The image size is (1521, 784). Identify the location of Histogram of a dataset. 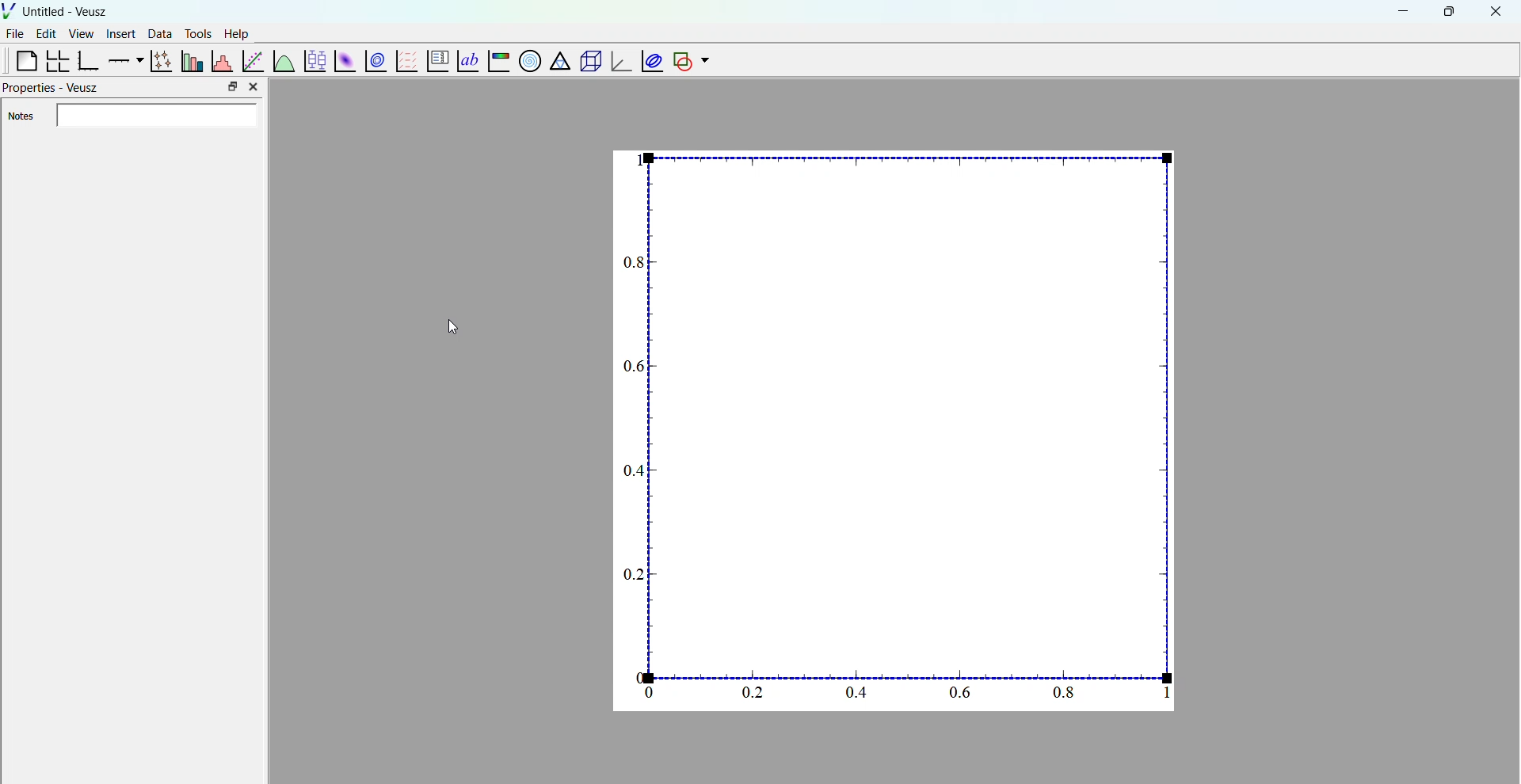
(221, 59).